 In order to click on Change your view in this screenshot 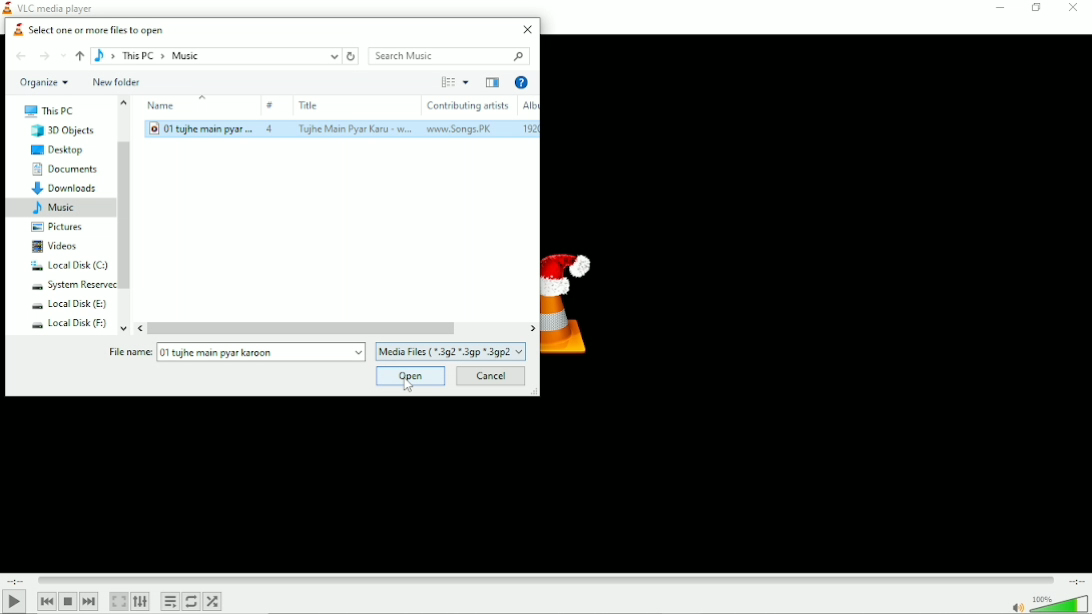, I will do `click(448, 82)`.